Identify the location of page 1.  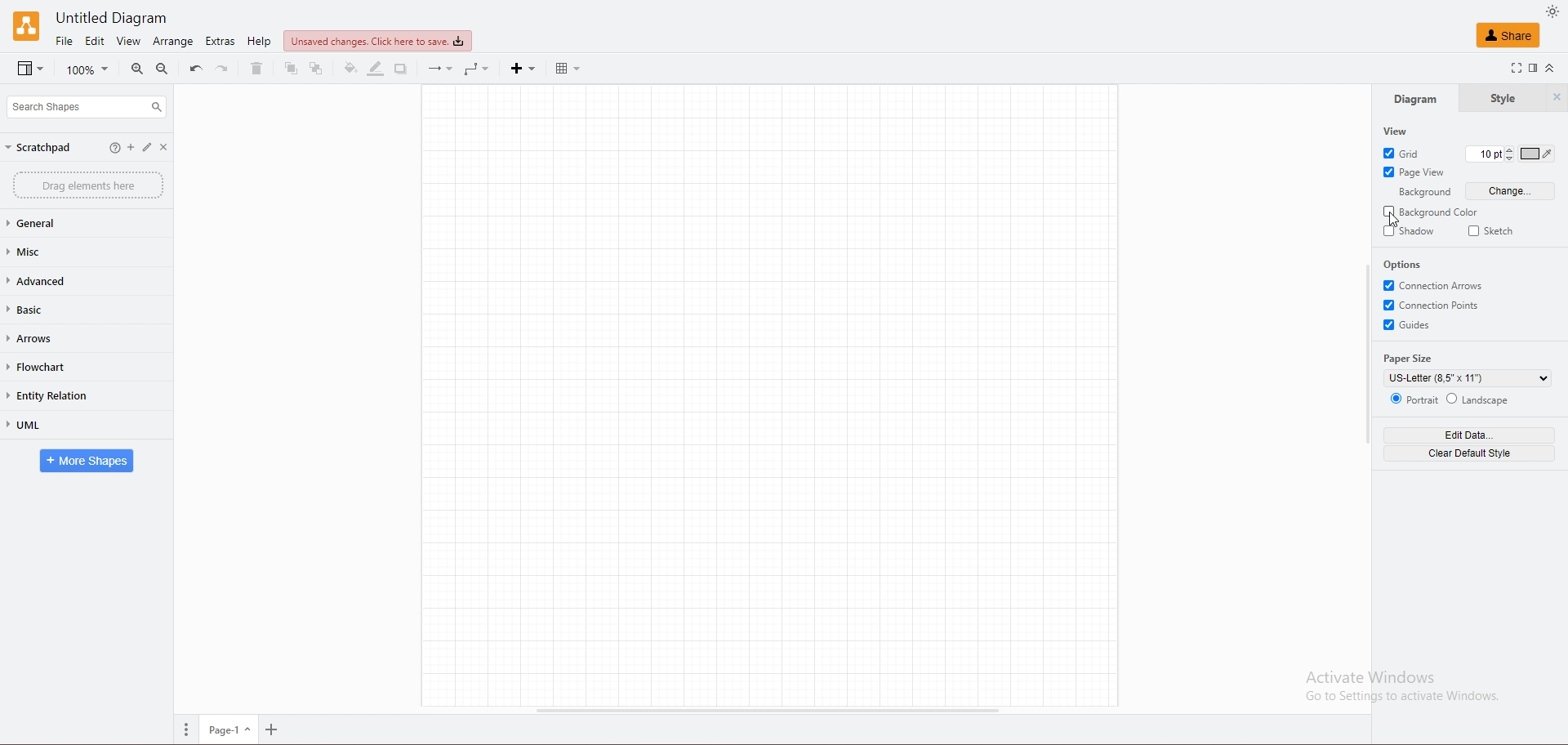
(231, 730).